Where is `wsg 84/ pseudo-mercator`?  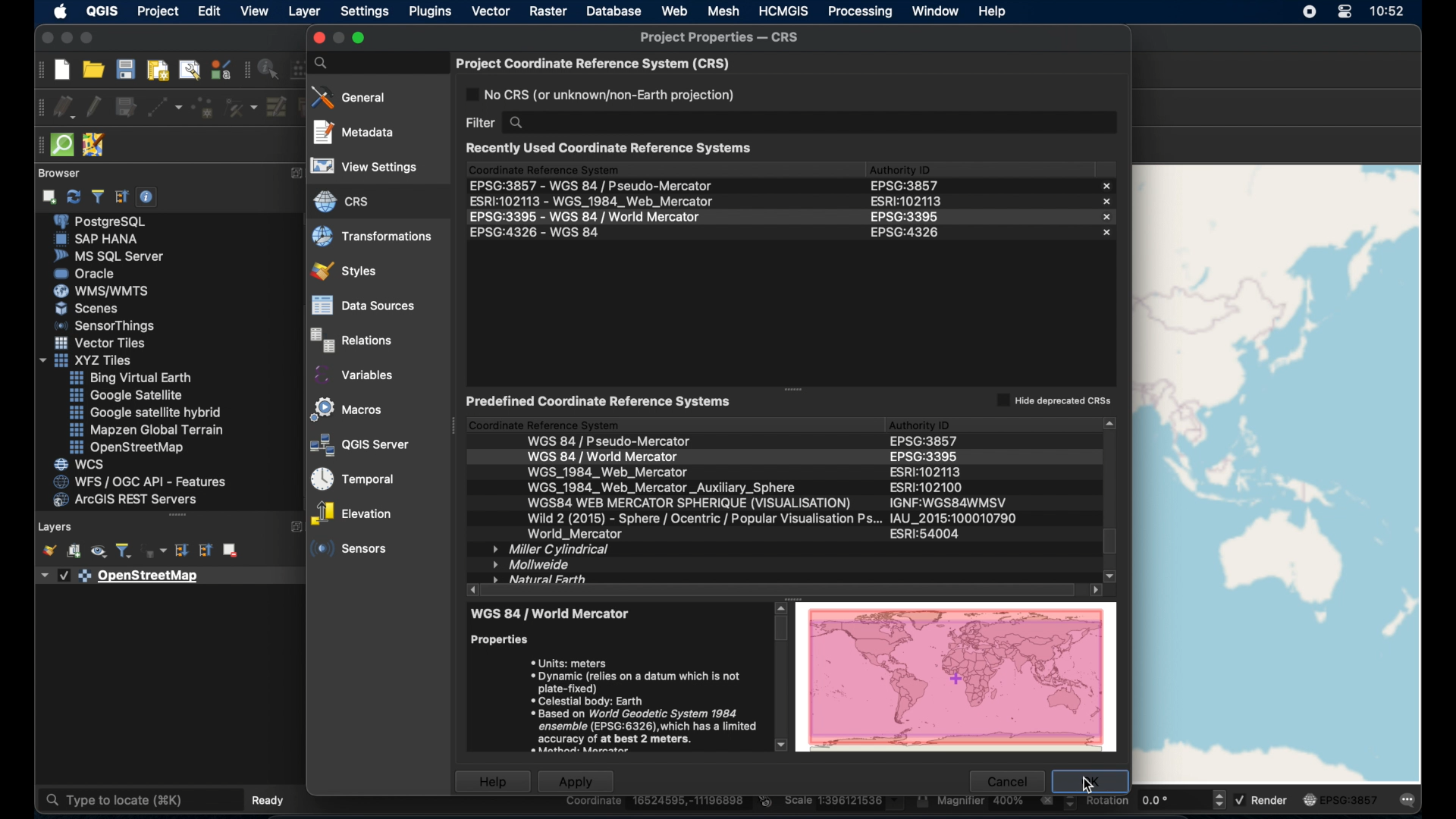
wsg 84/ pseudo-mercator is located at coordinates (562, 613).